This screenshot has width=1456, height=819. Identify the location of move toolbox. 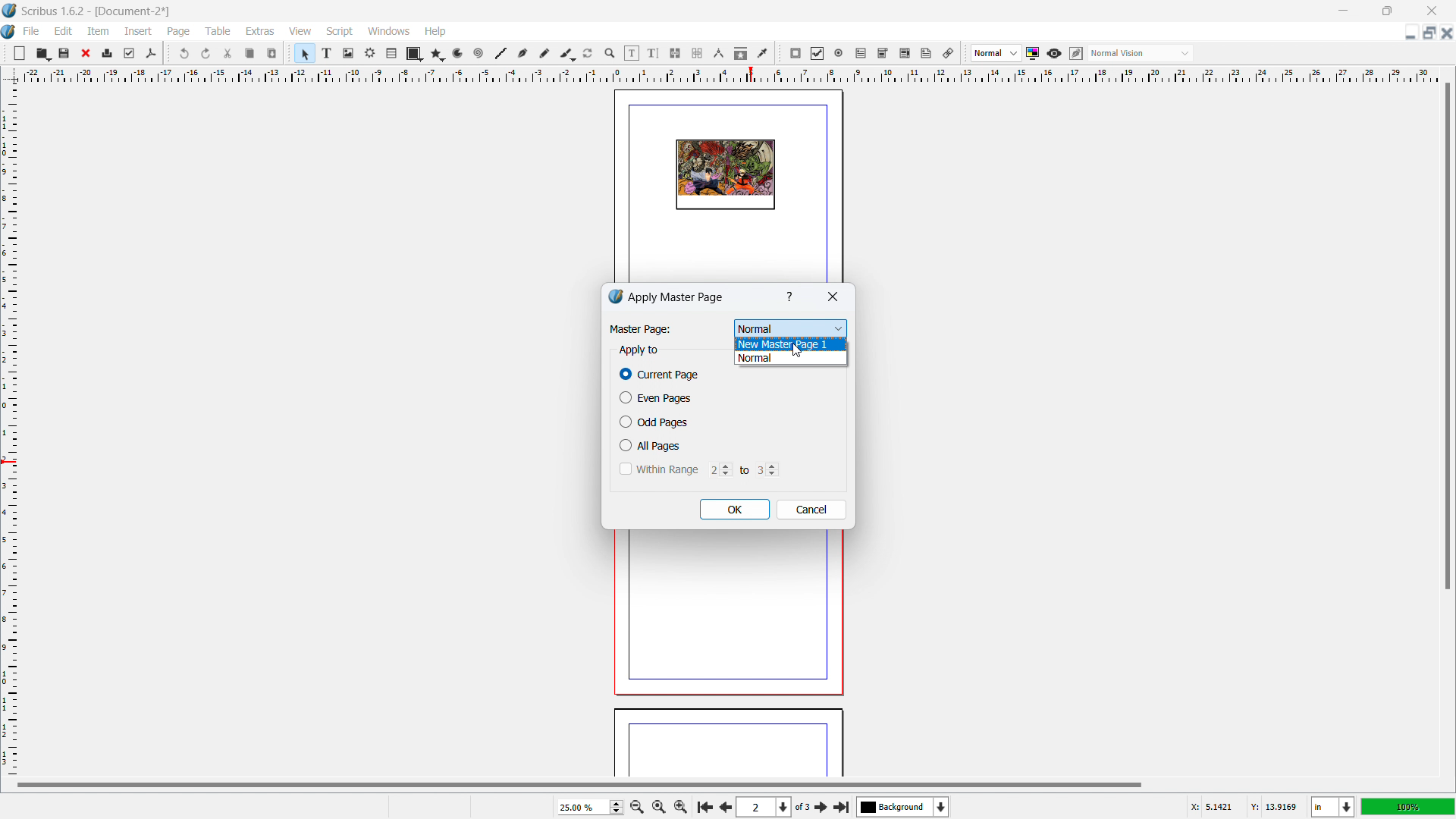
(168, 52).